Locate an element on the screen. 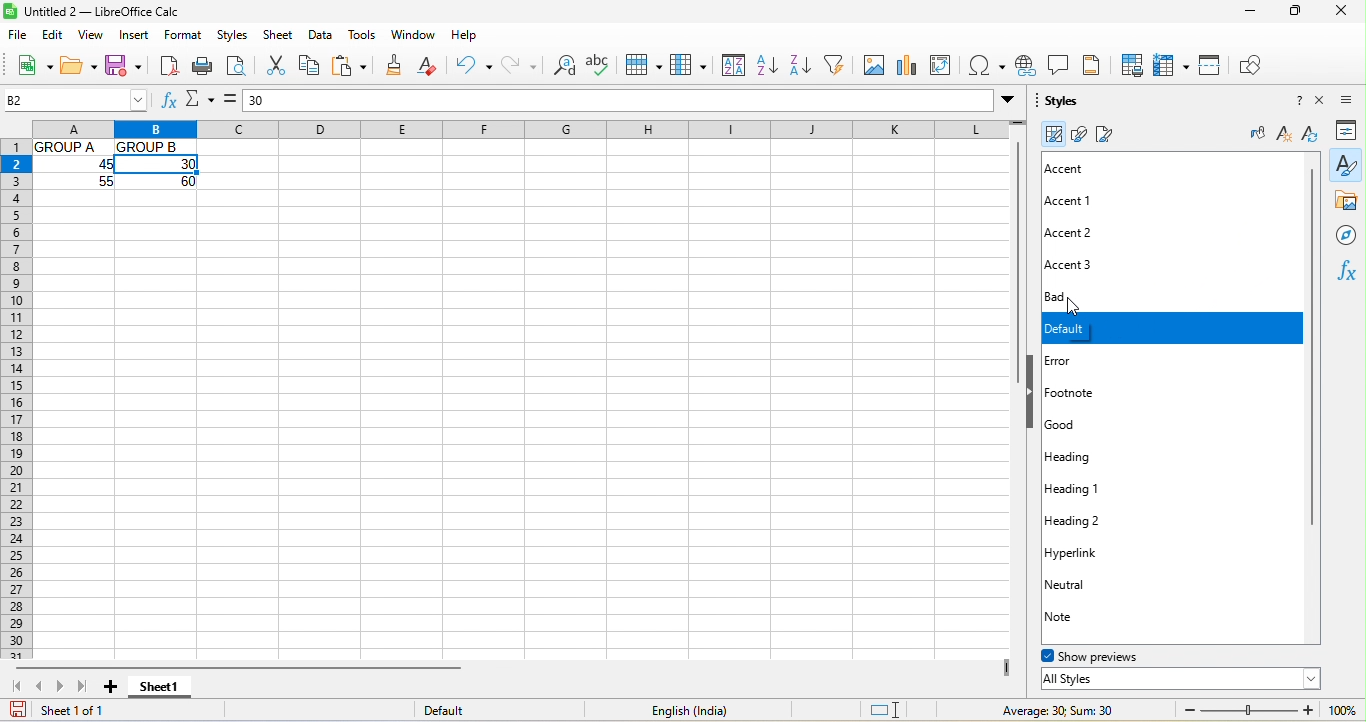 The image size is (1366, 722). style is located at coordinates (1346, 165).